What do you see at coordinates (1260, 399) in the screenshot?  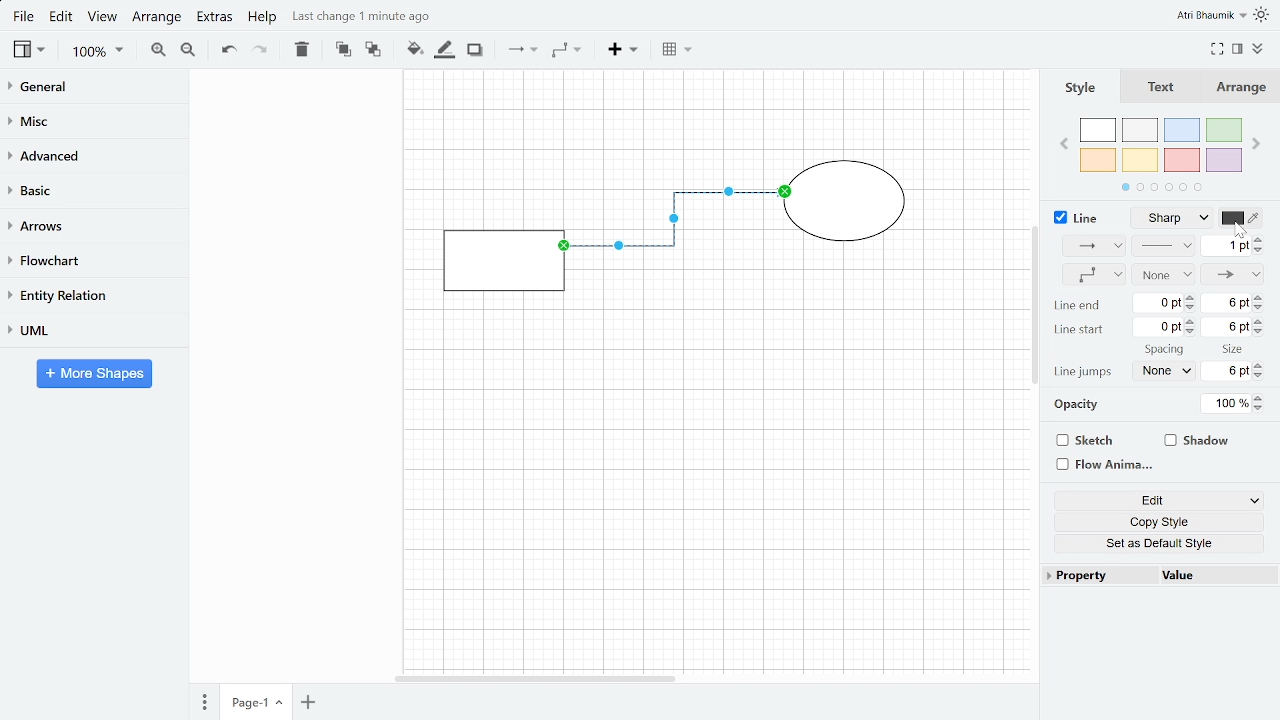 I see `Increase opacity` at bounding box center [1260, 399].